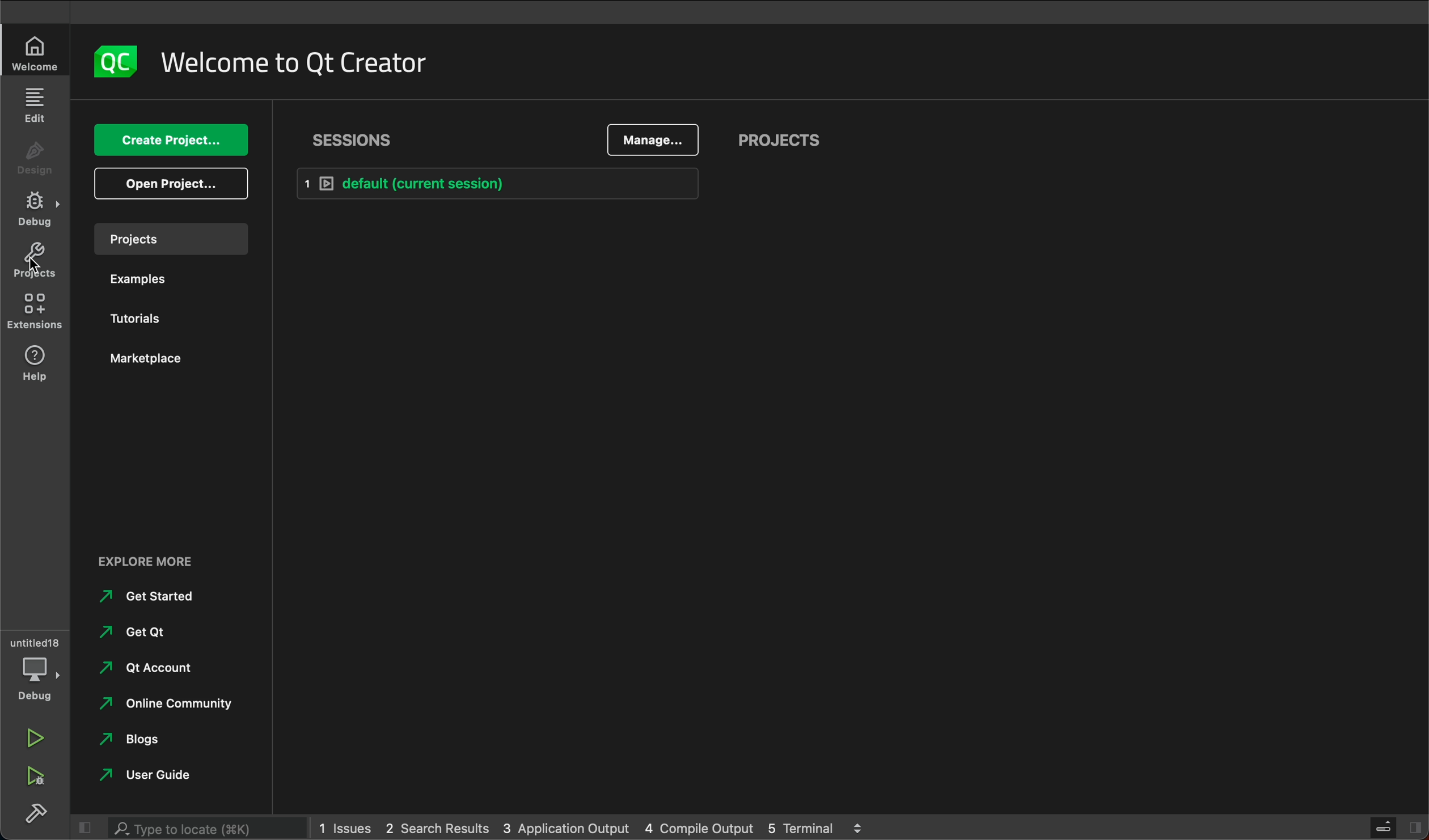 The height and width of the screenshot is (840, 1429). What do you see at coordinates (88, 826) in the screenshot?
I see `close sidebar` at bounding box center [88, 826].